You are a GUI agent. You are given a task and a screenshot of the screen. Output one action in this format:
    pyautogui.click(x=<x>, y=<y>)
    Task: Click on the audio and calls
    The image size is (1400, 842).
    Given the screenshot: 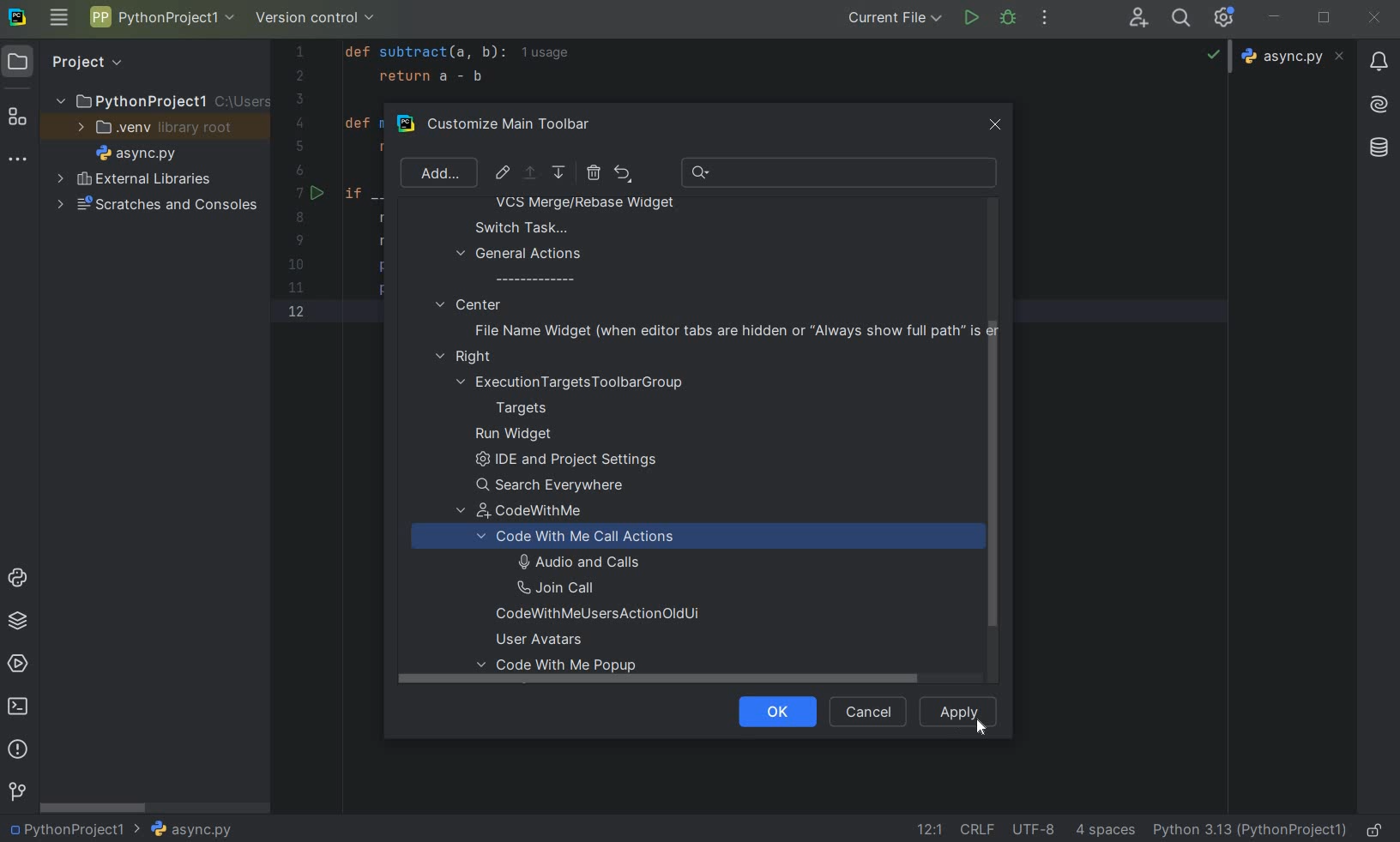 What is the action you would take?
    pyautogui.click(x=575, y=561)
    